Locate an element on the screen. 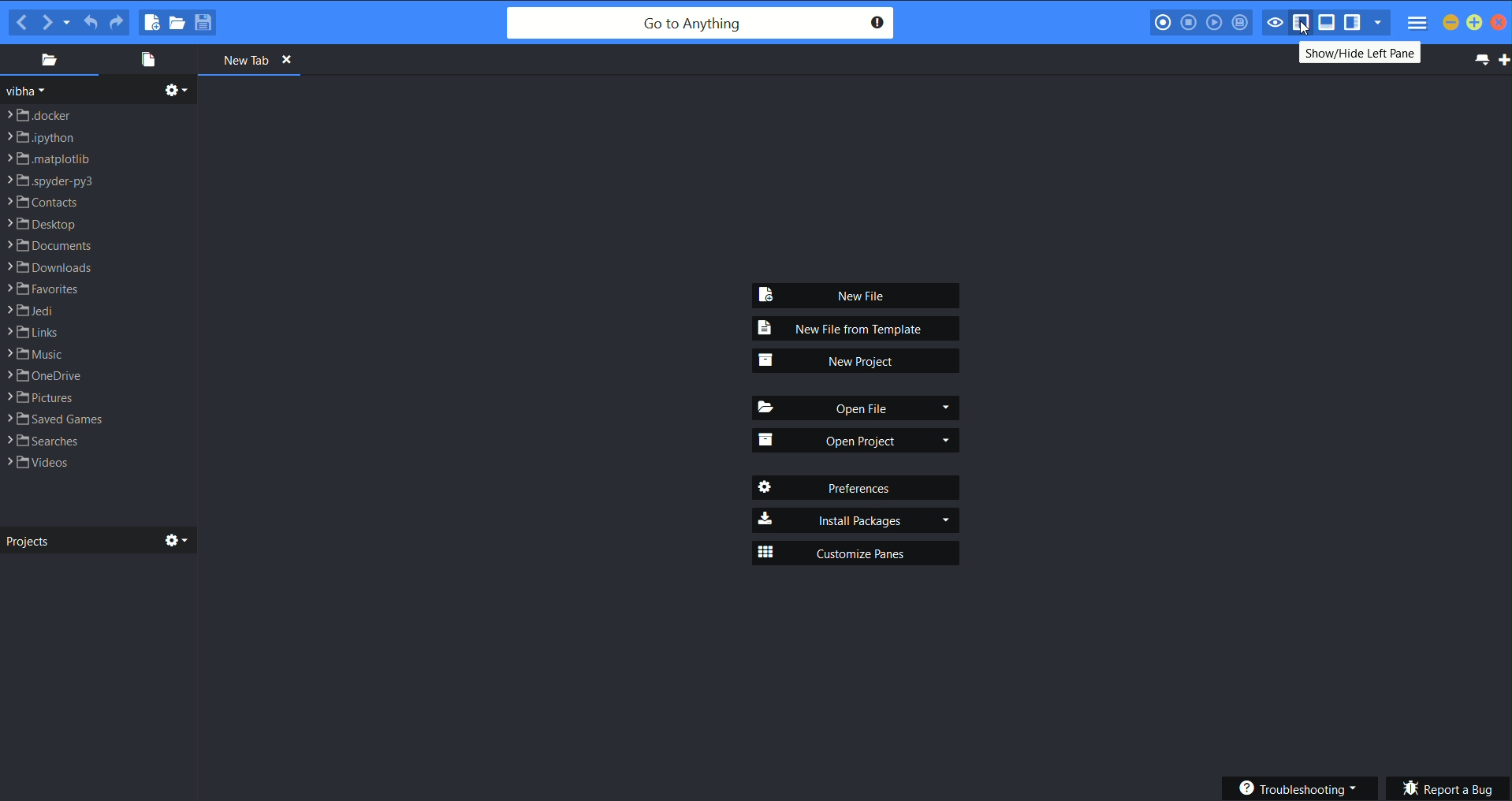 The width and height of the screenshot is (1512, 801). new file is located at coordinates (148, 61).